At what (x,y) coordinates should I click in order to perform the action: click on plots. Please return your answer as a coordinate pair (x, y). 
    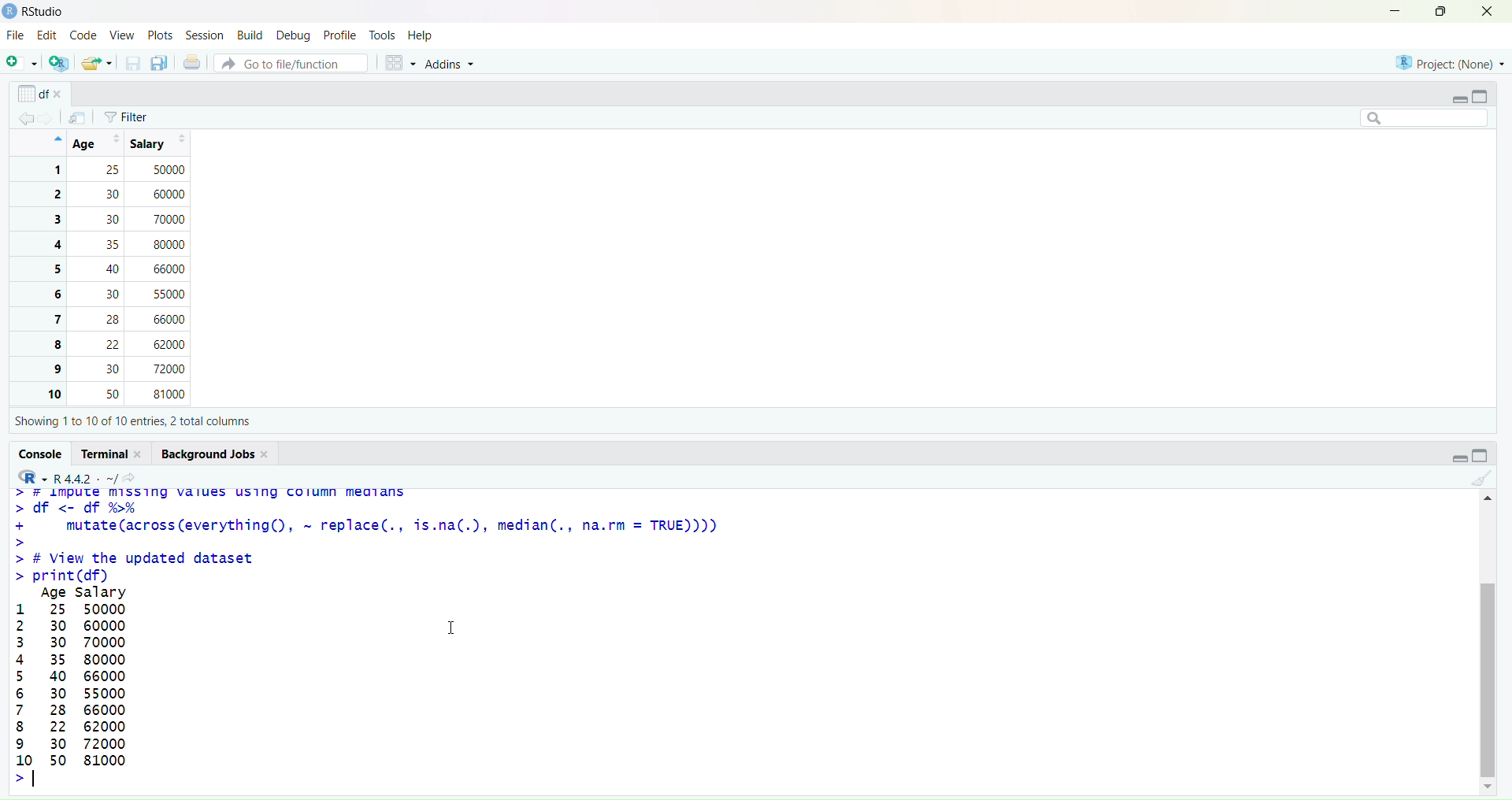
    Looking at the image, I should click on (160, 34).